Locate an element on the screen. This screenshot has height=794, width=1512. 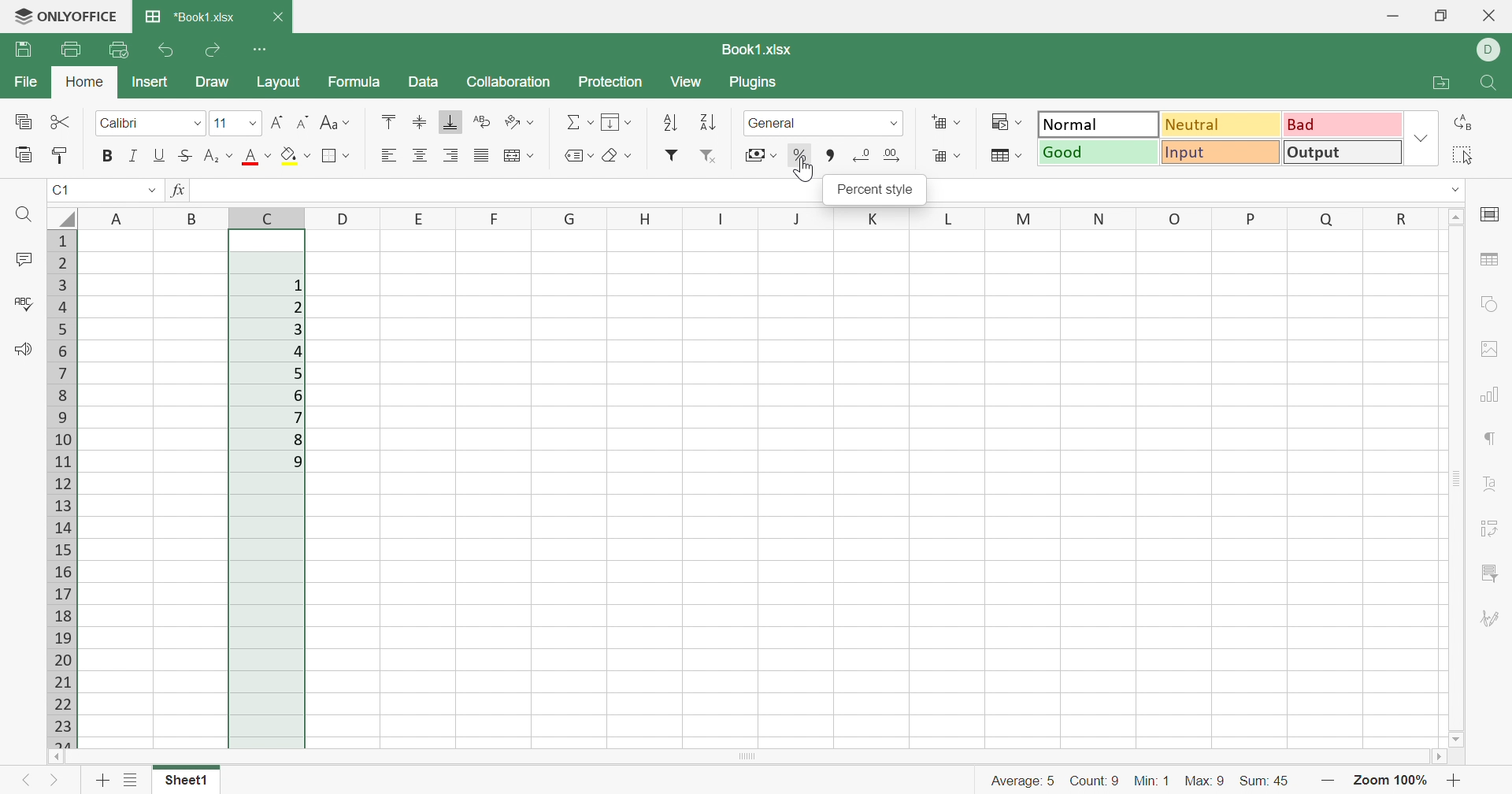
11 is located at coordinates (223, 123).